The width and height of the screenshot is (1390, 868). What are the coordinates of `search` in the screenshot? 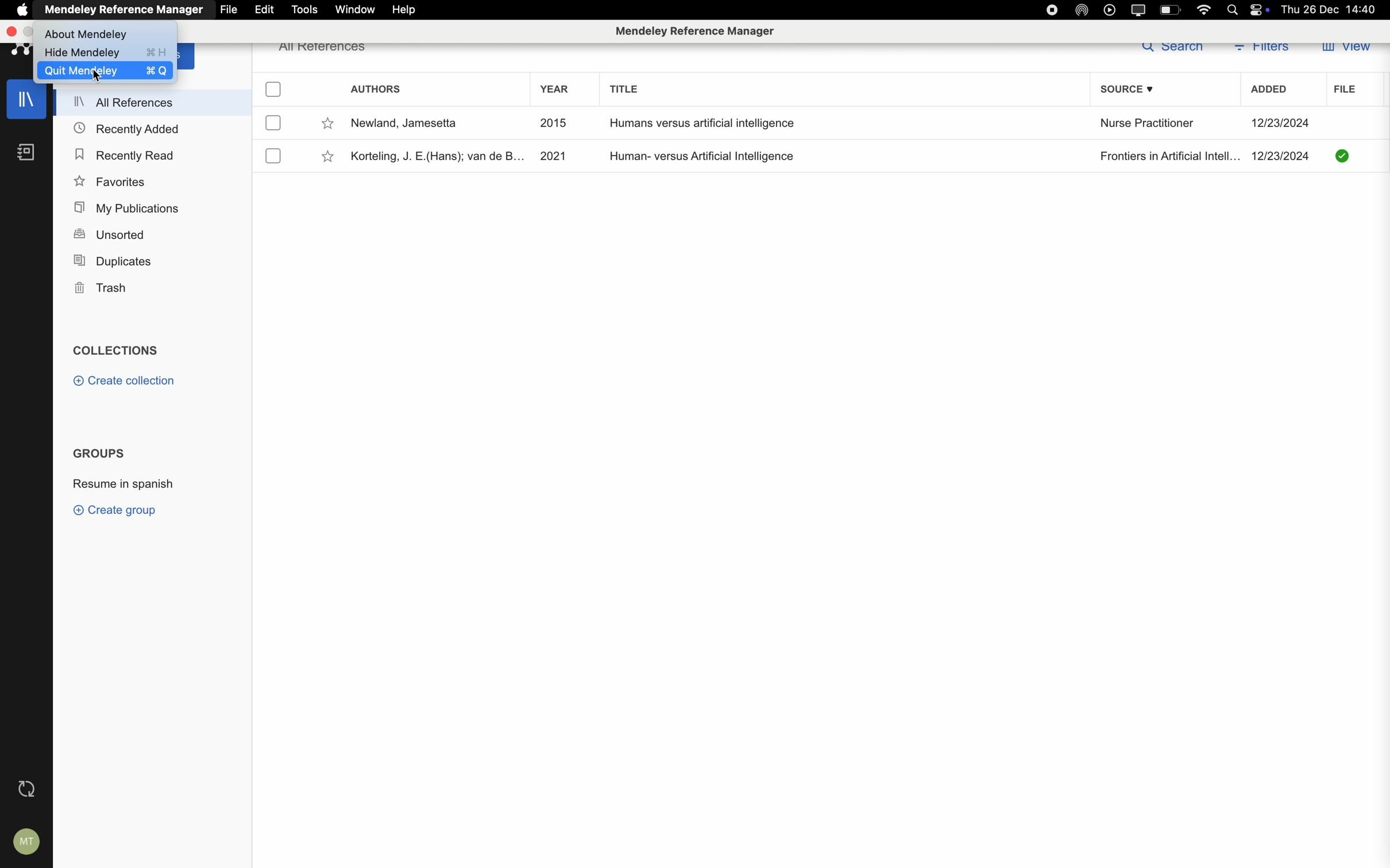 It's located at (1171, 49).